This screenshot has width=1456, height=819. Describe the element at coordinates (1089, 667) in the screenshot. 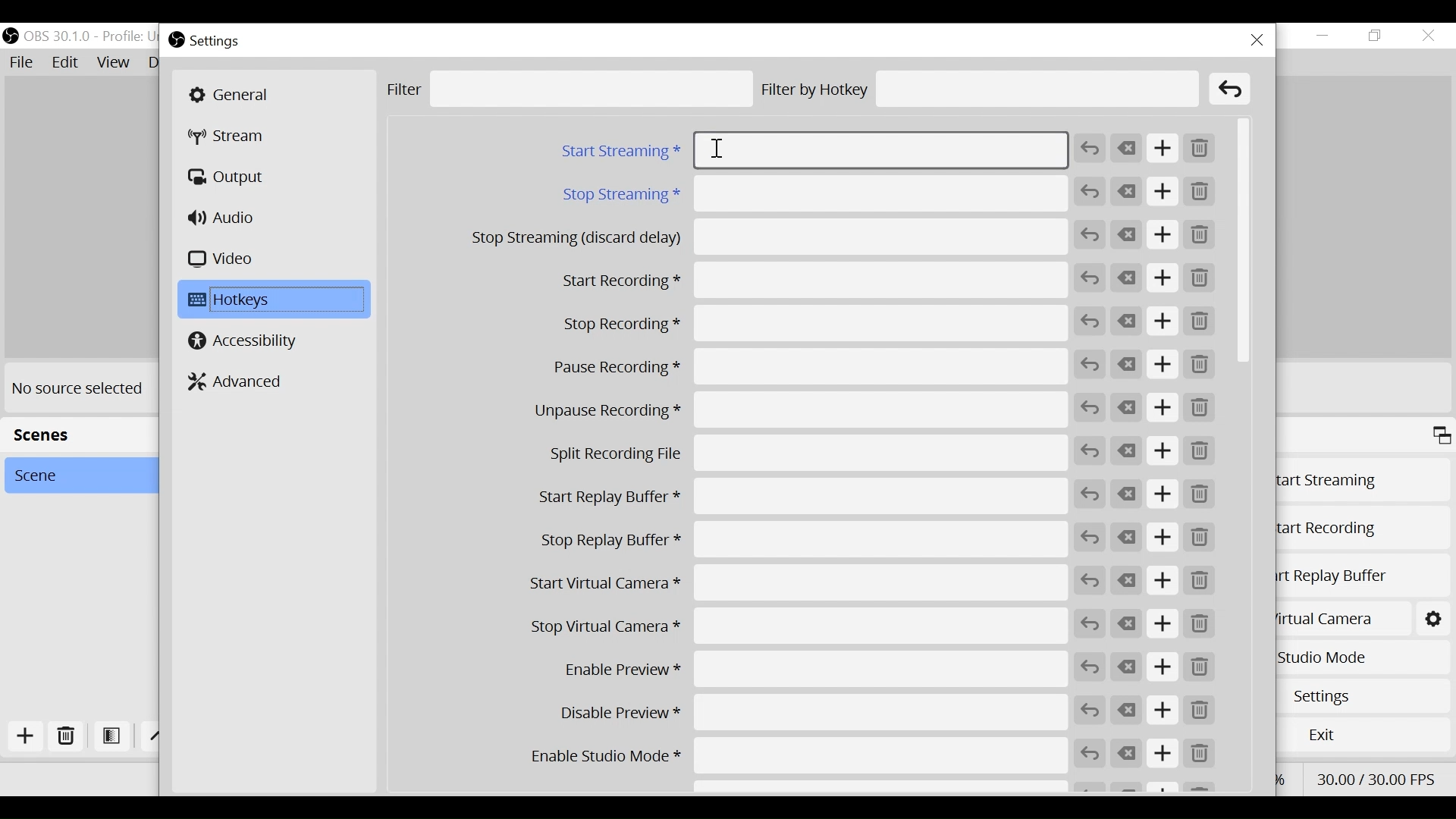

I see `Revert` at that location.